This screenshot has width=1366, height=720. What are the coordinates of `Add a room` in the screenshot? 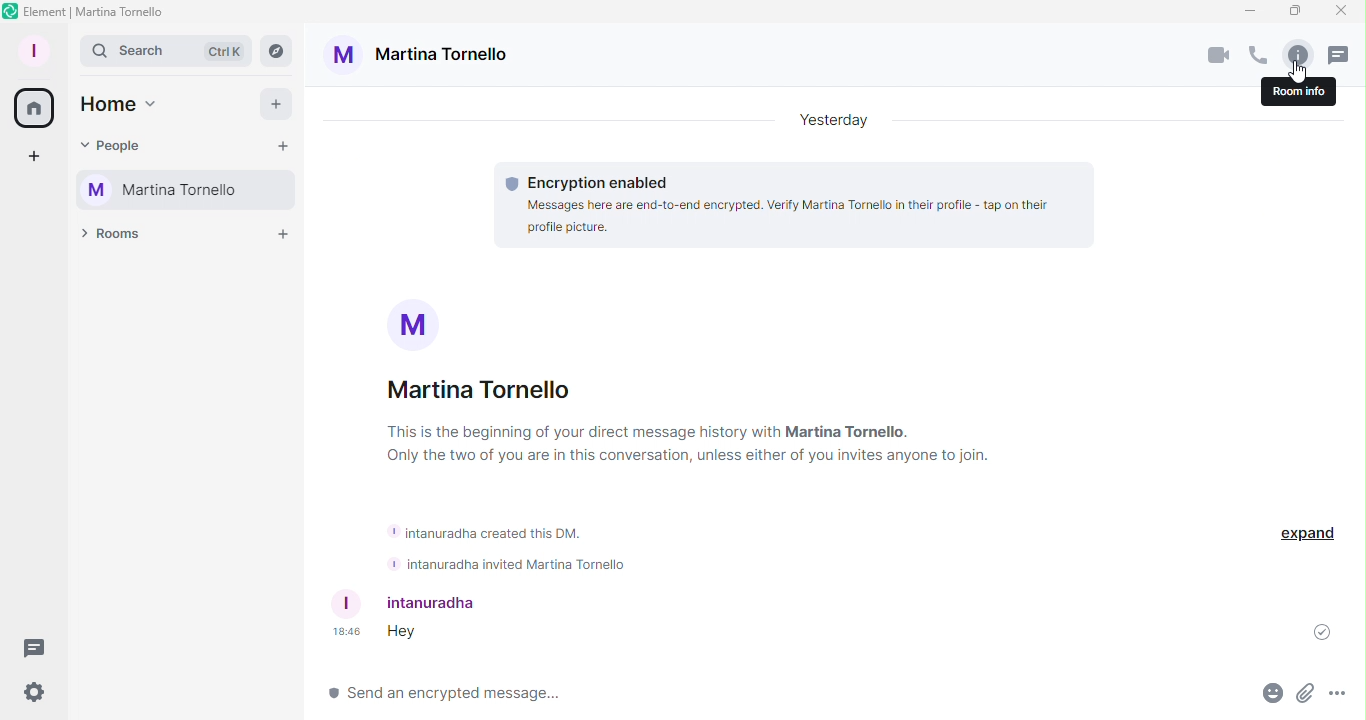 It's located at (287, 239).